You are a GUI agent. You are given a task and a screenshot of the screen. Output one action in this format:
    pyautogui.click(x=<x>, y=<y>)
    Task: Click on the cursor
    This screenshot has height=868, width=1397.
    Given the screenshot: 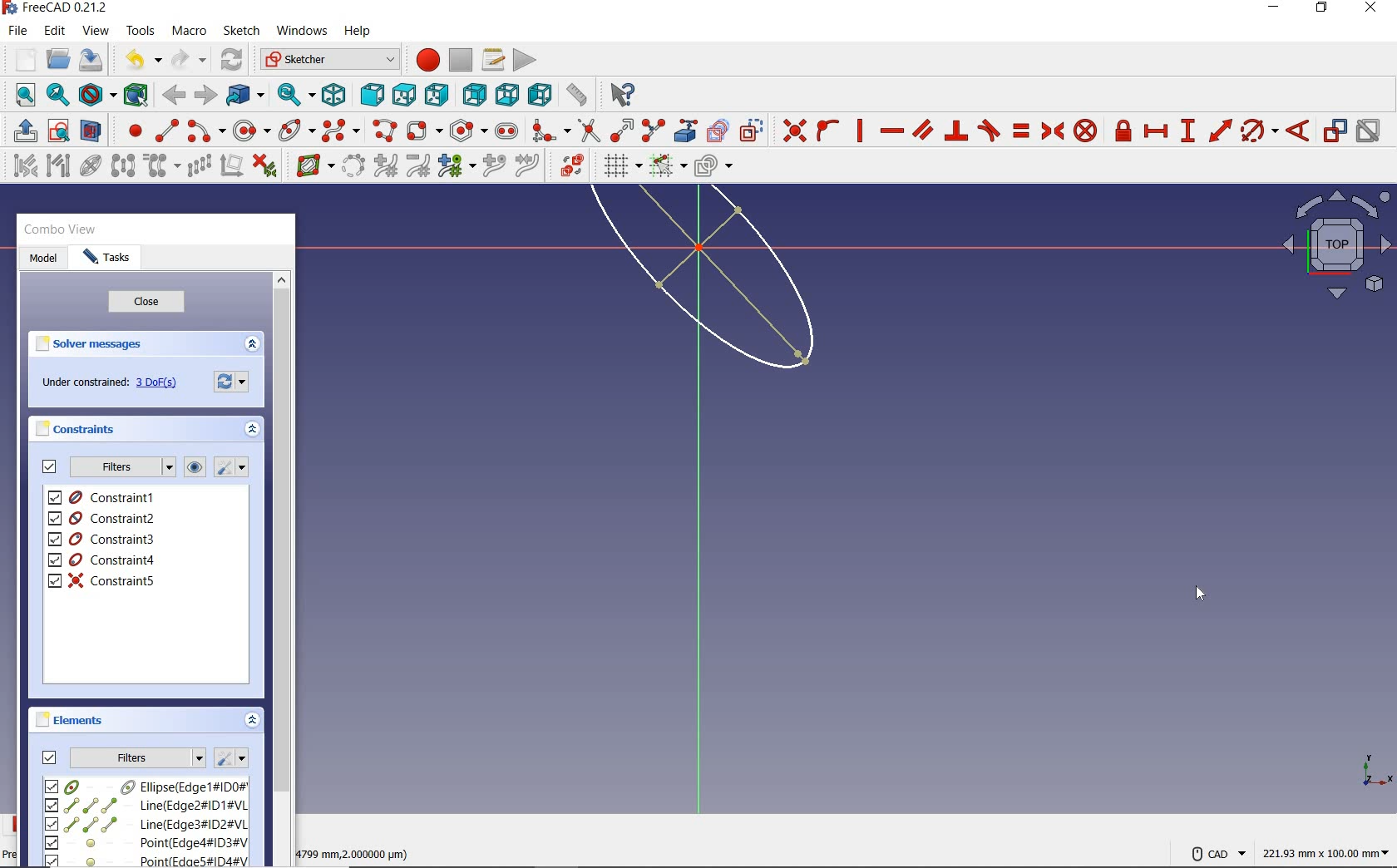 What is the action you would take?
    pyautogui.click(x=1200, y=593)
    